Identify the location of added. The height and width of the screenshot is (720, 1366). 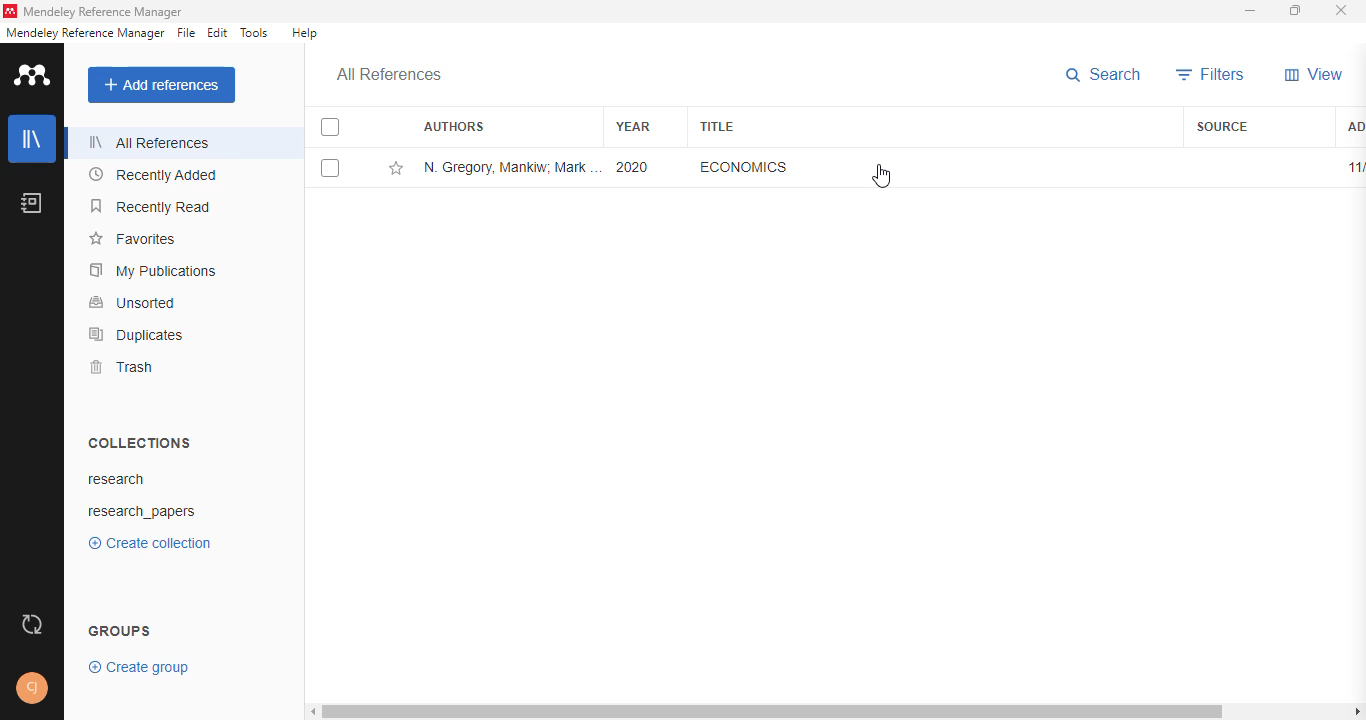
(1352, 127).